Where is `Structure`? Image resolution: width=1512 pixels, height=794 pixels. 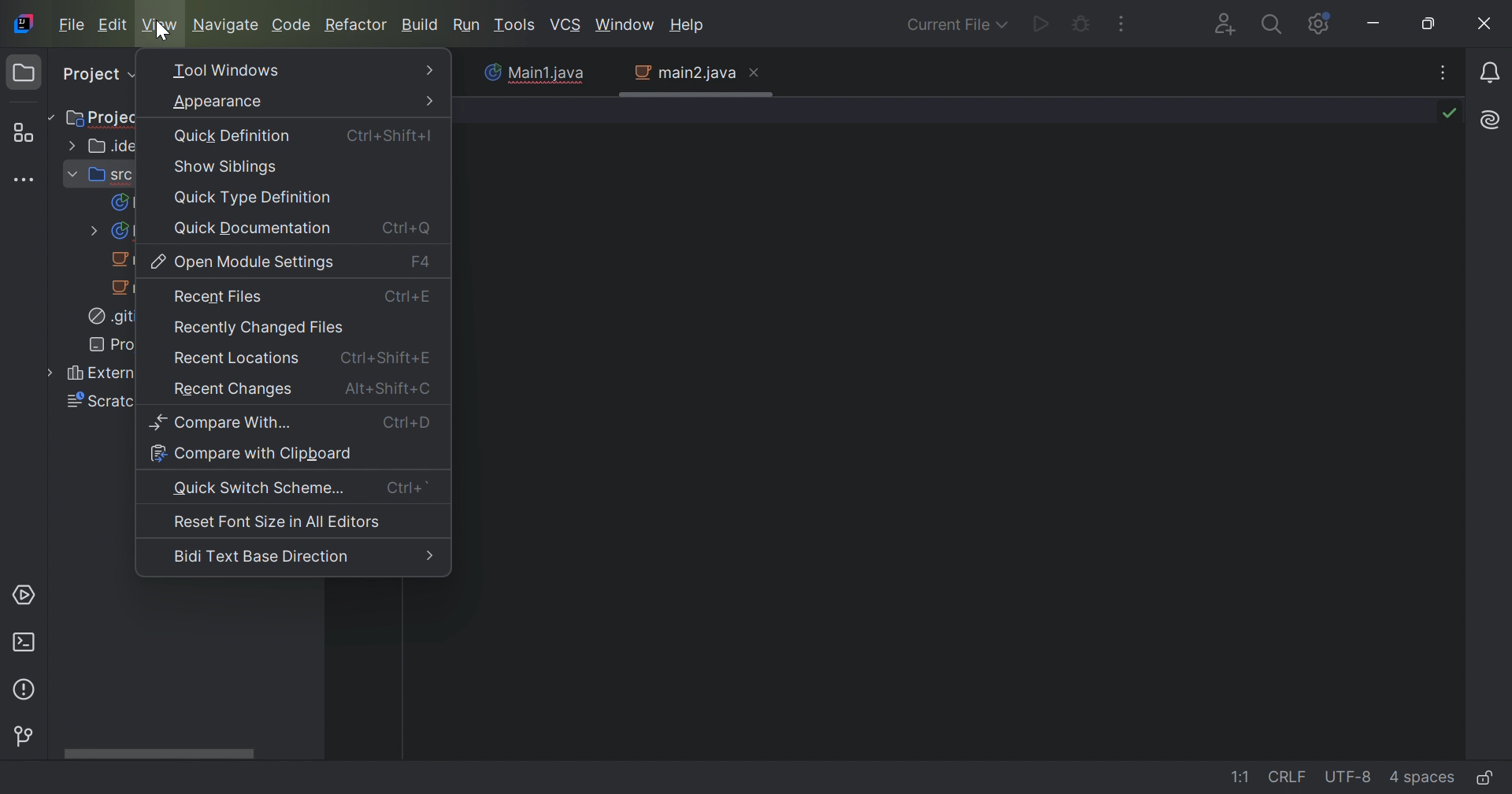 Structure is located at coordinates (28, 132).